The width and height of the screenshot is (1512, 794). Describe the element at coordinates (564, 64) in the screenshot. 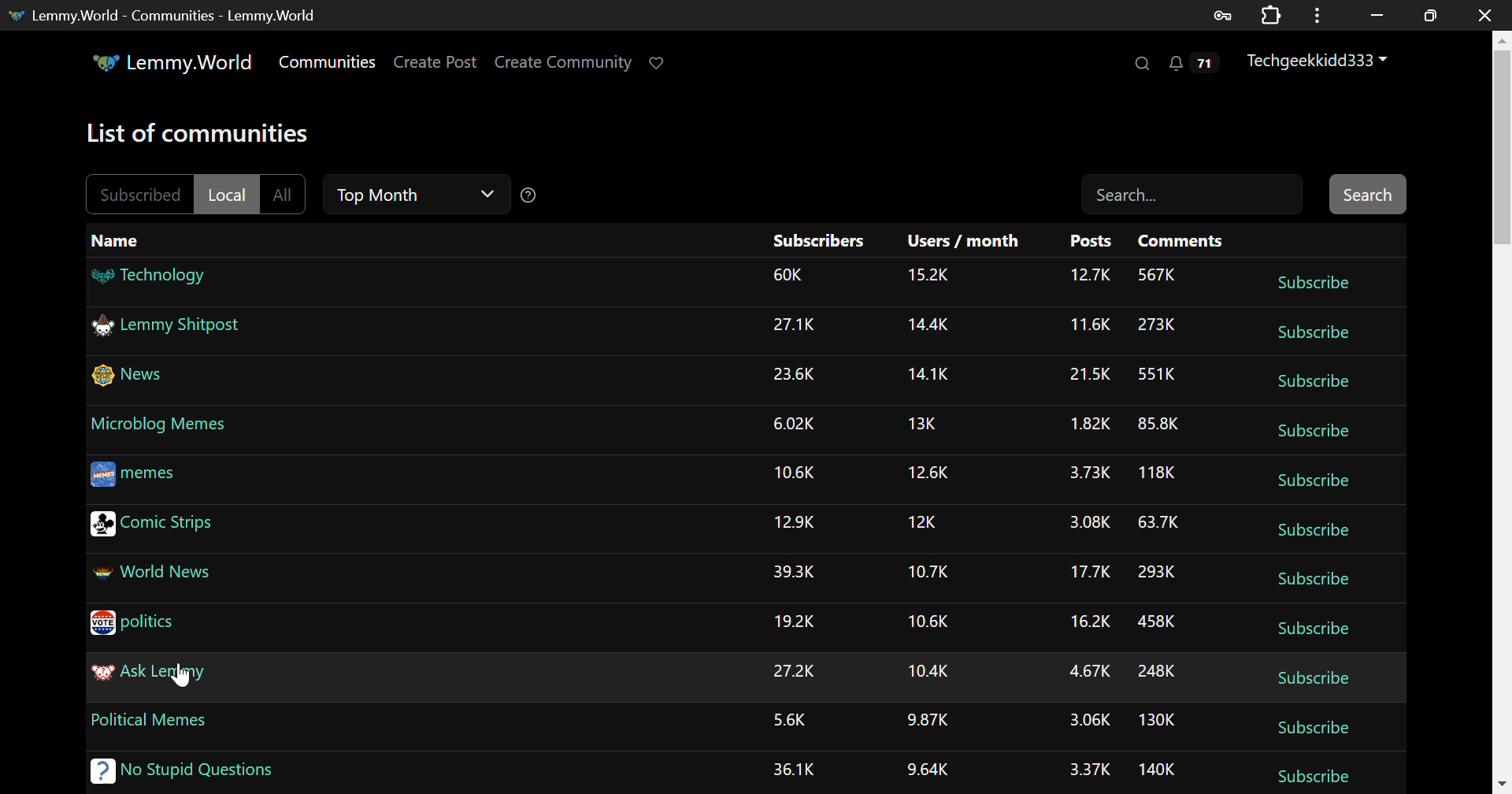

I see `Create Community` at that location.